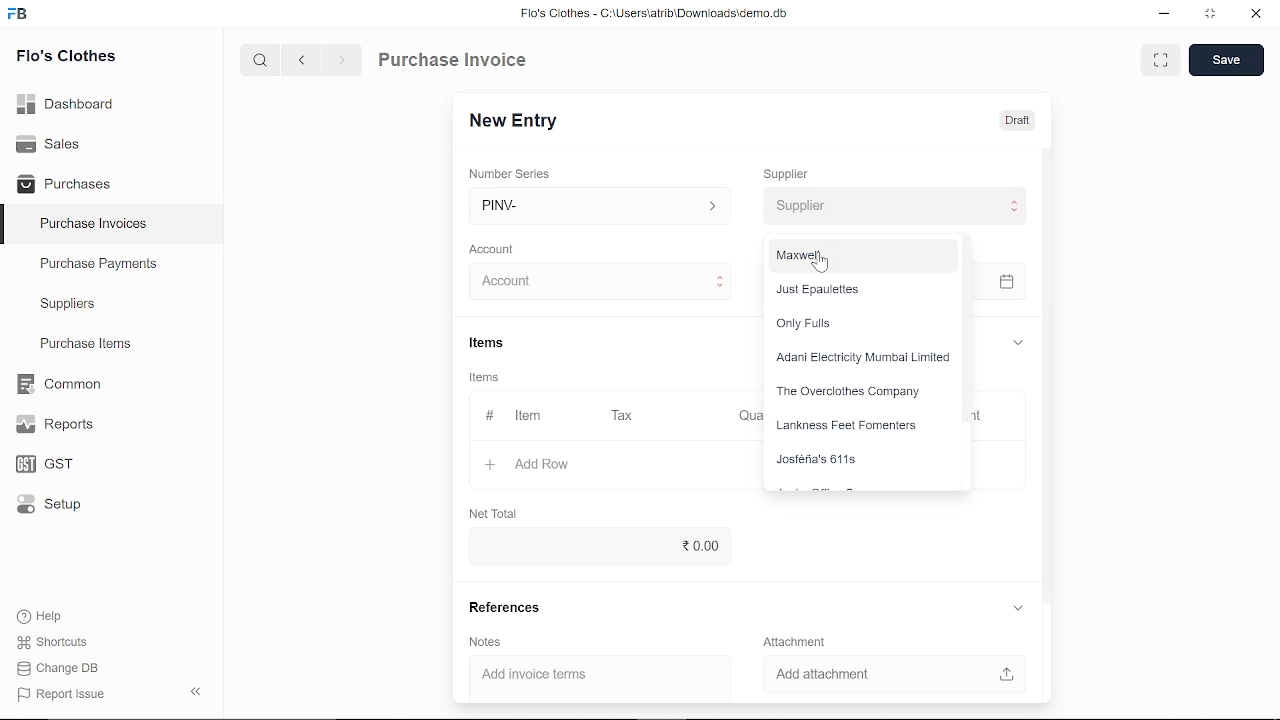 This screenshot has height=720, width=1280. I want to click on ‘Attachment, so click(794, 641).